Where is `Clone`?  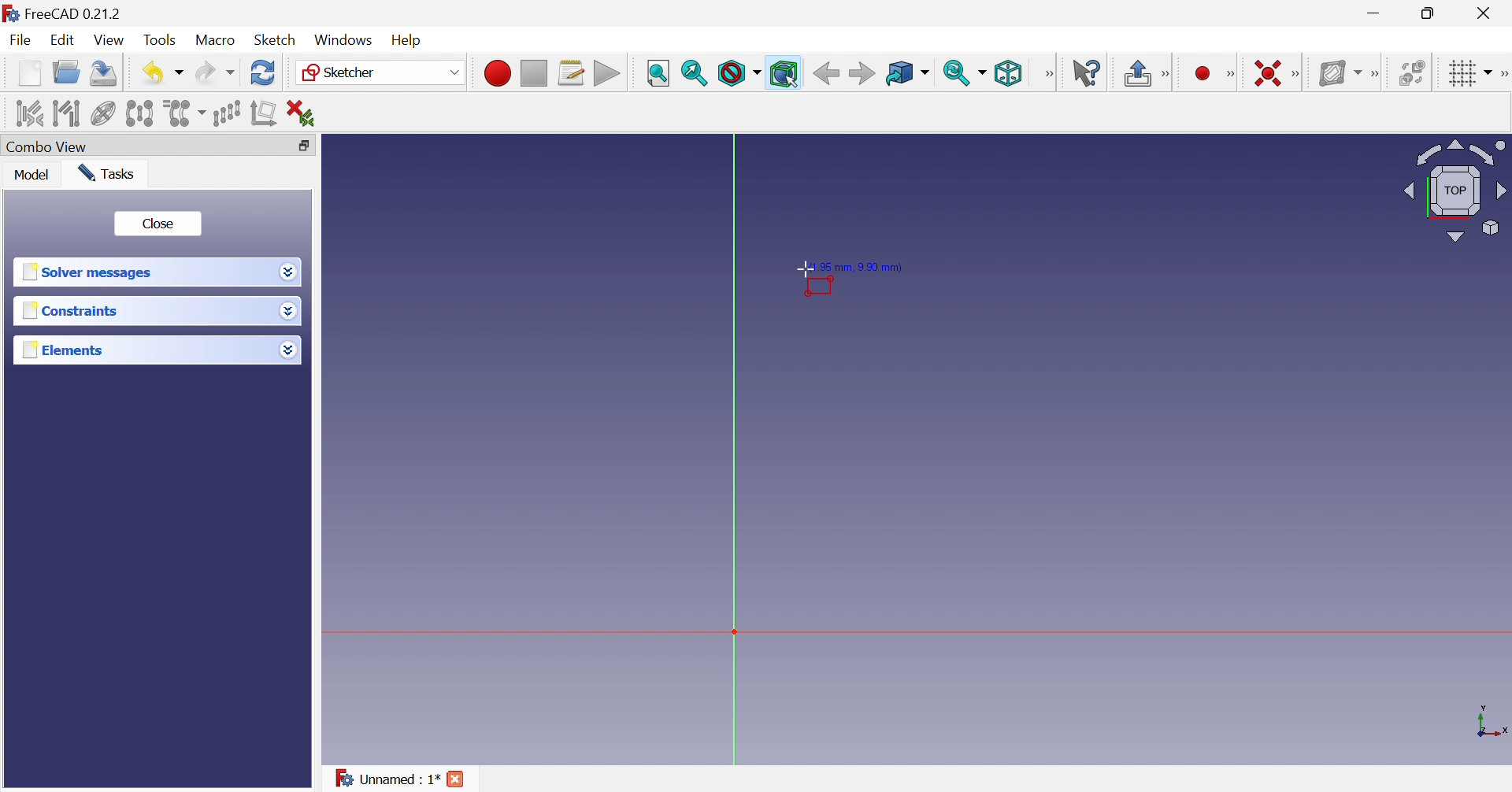 Clone is located at coordinates (183, 114).